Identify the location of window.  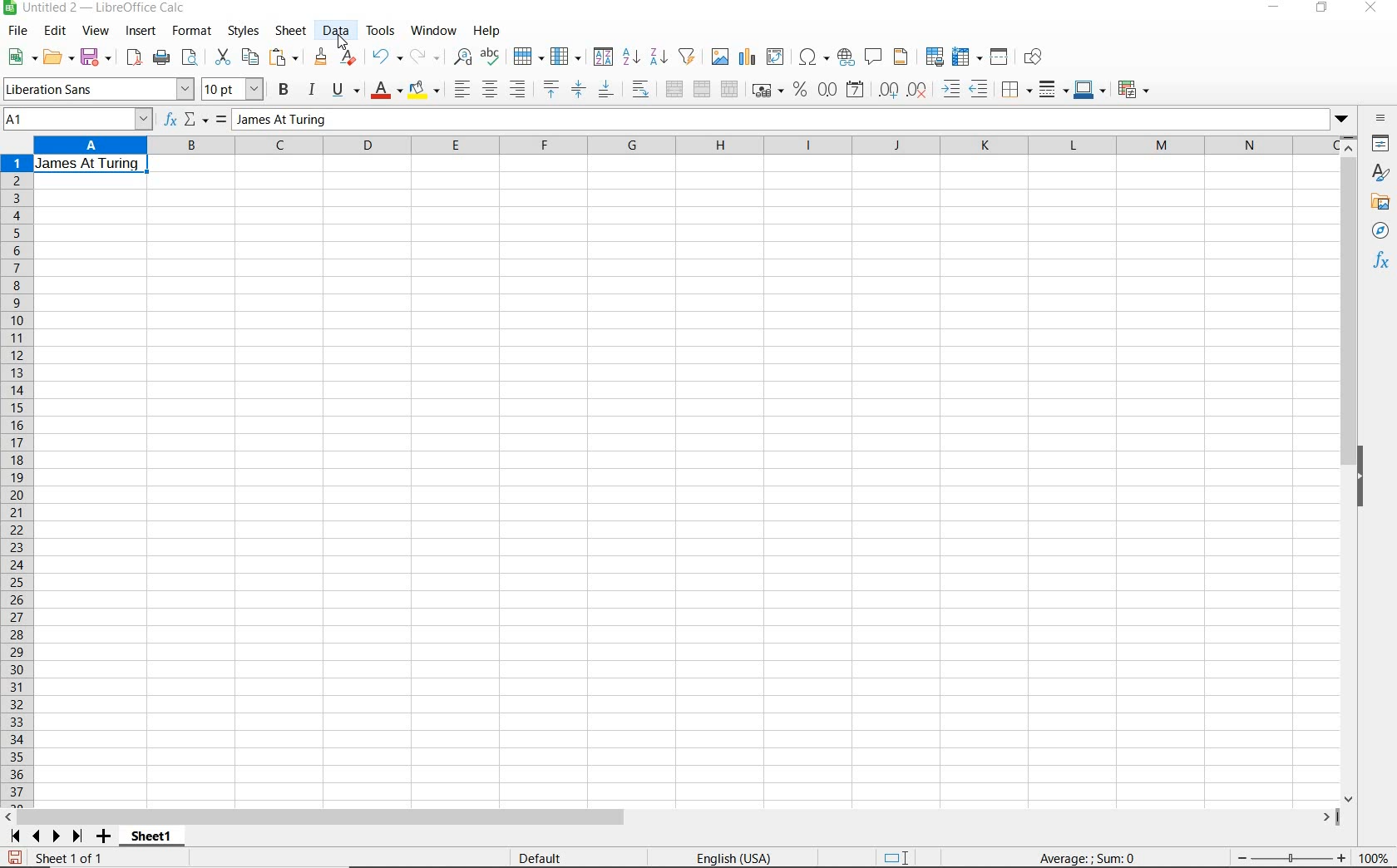
(433, 32).